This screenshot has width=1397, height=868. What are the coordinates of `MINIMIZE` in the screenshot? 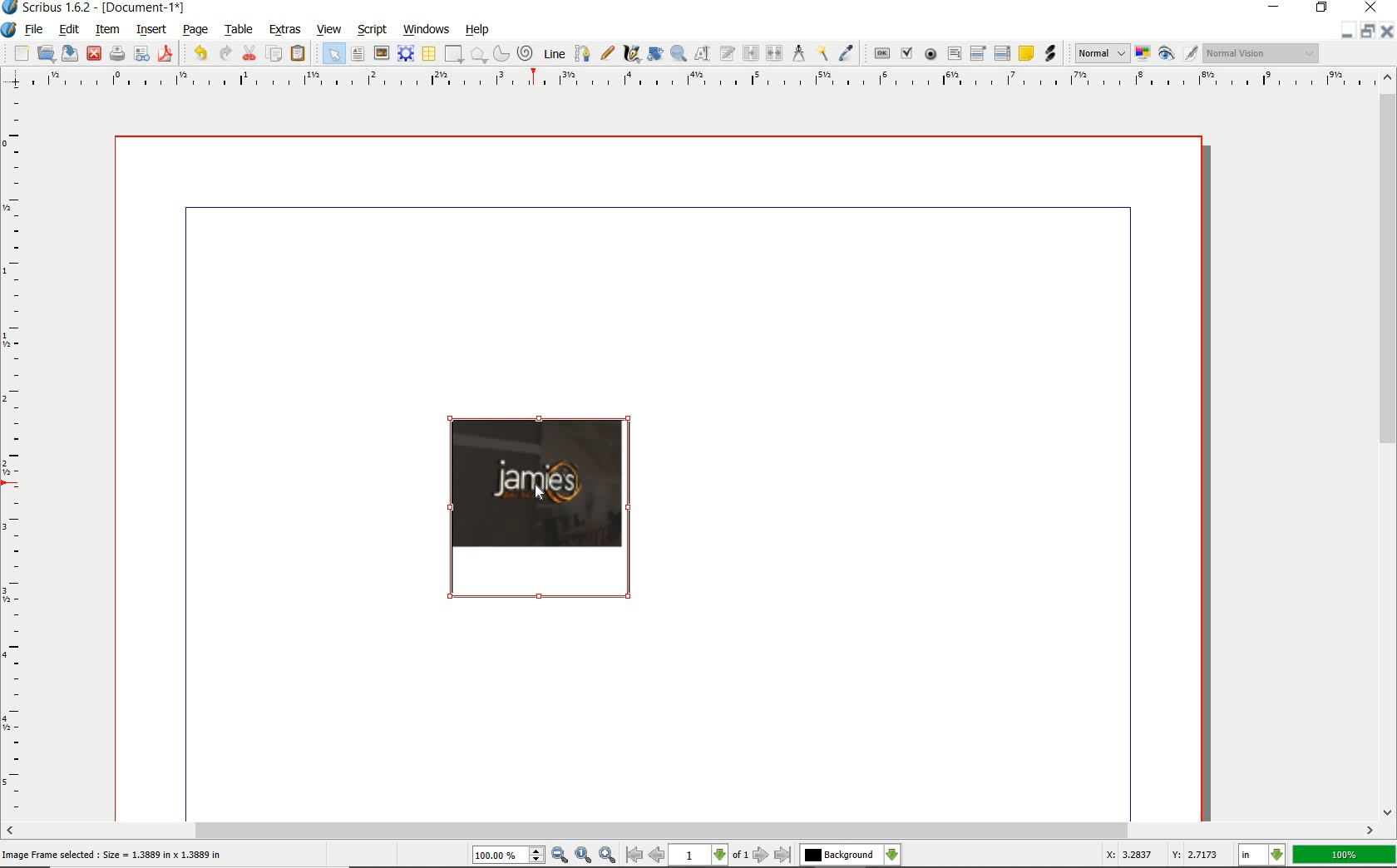 It's located at (1273, 7).